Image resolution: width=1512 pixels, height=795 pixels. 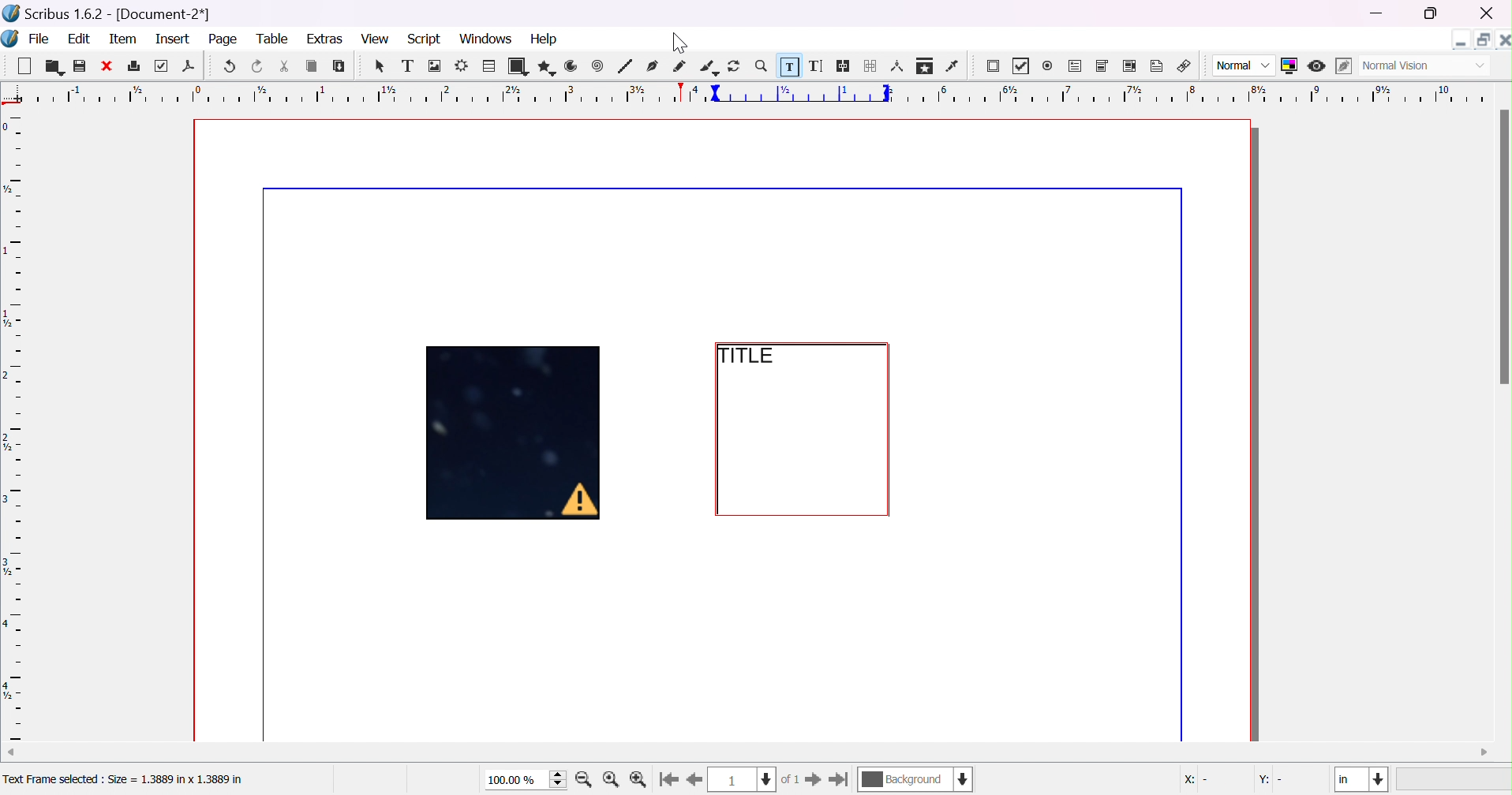 I want to click on unlink text frames, so click(x=871, y=65).